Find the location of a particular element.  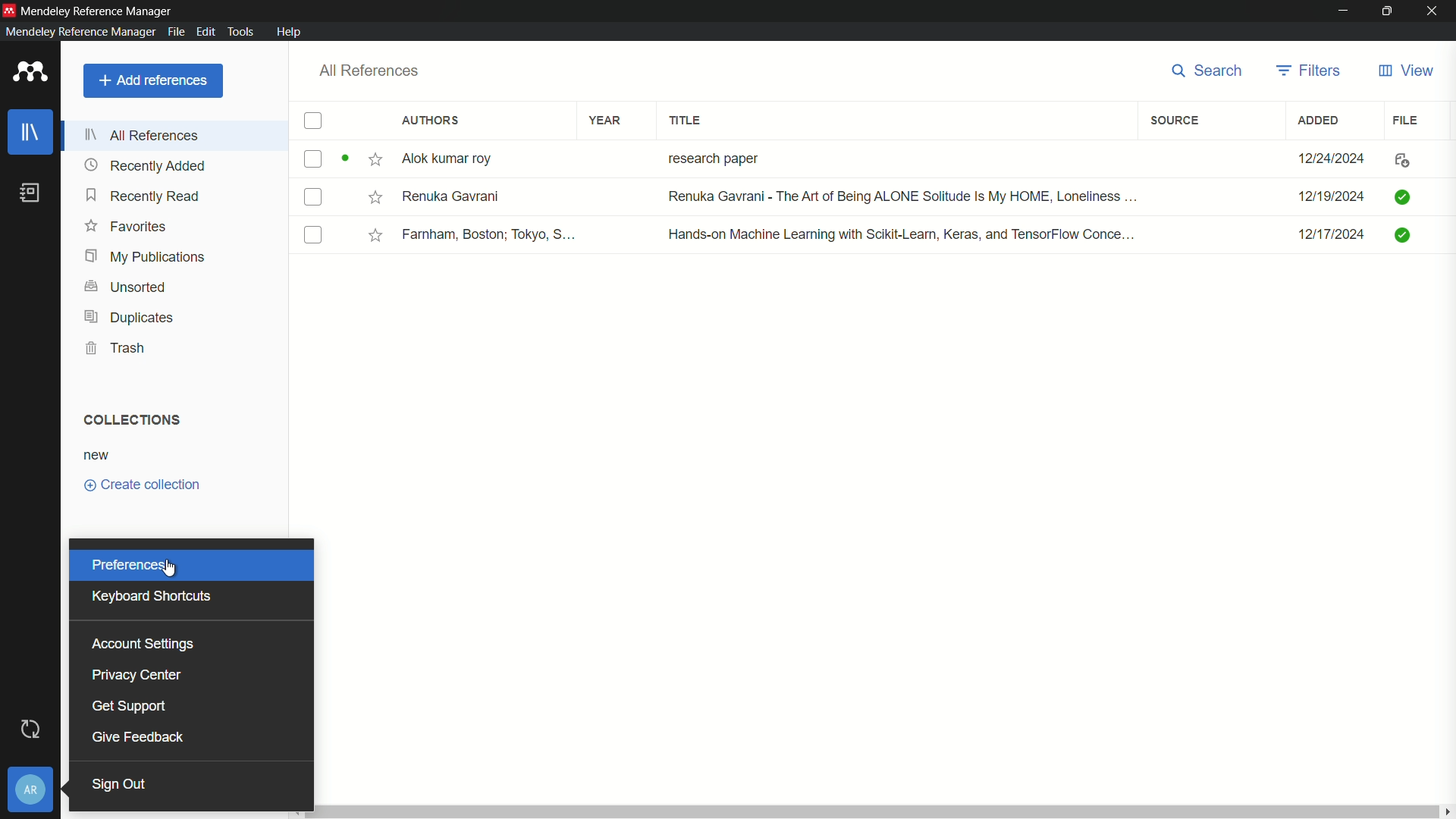

source is located at coordinates (1175, 121).